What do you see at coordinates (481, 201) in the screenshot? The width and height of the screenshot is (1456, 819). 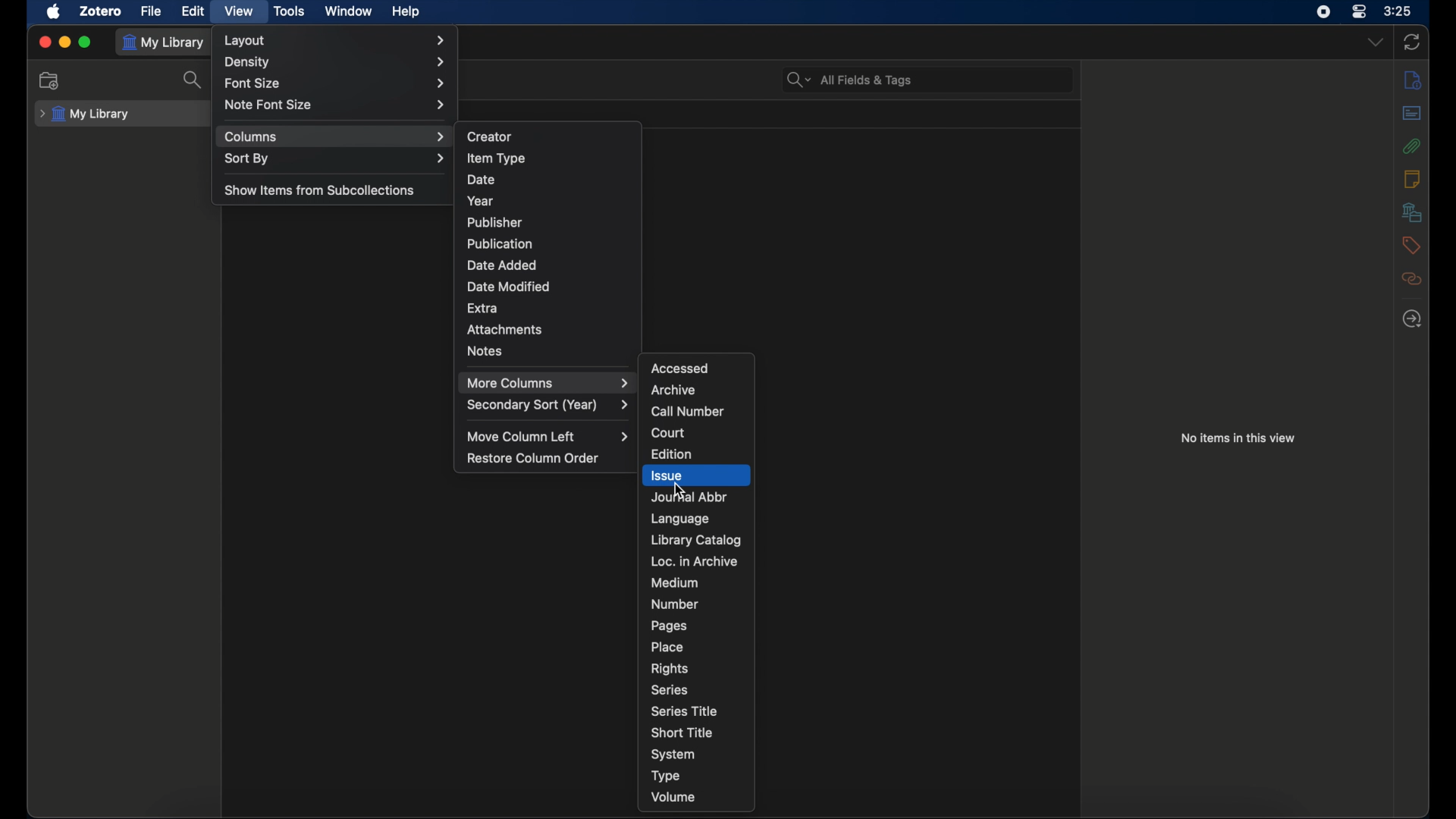 I see `year` at bounding box center [481, 201].